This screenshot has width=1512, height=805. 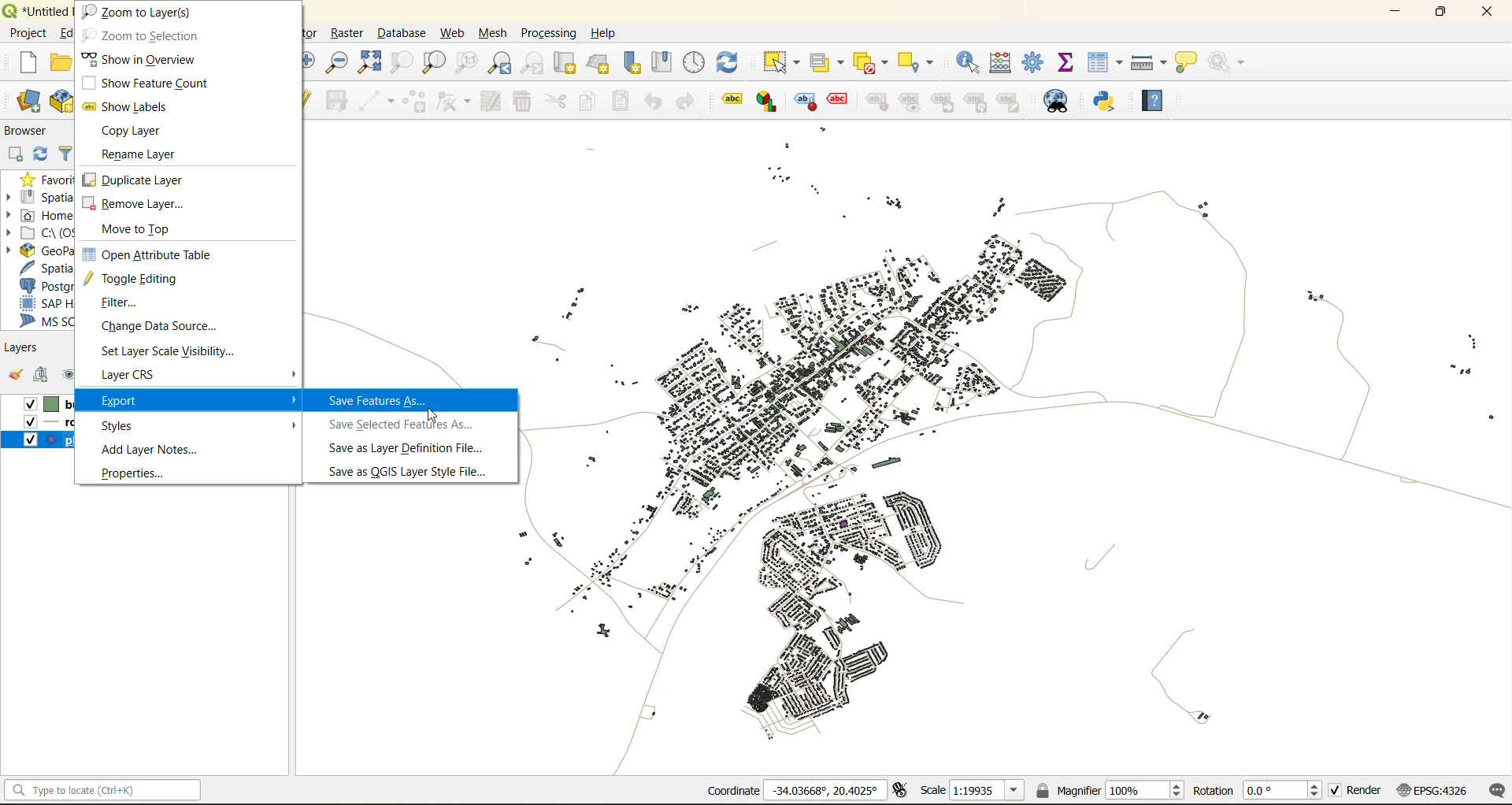 What do you see at coordinates (29, 63) in the screenshot?
I see `new` at bounding box center [29, 63].